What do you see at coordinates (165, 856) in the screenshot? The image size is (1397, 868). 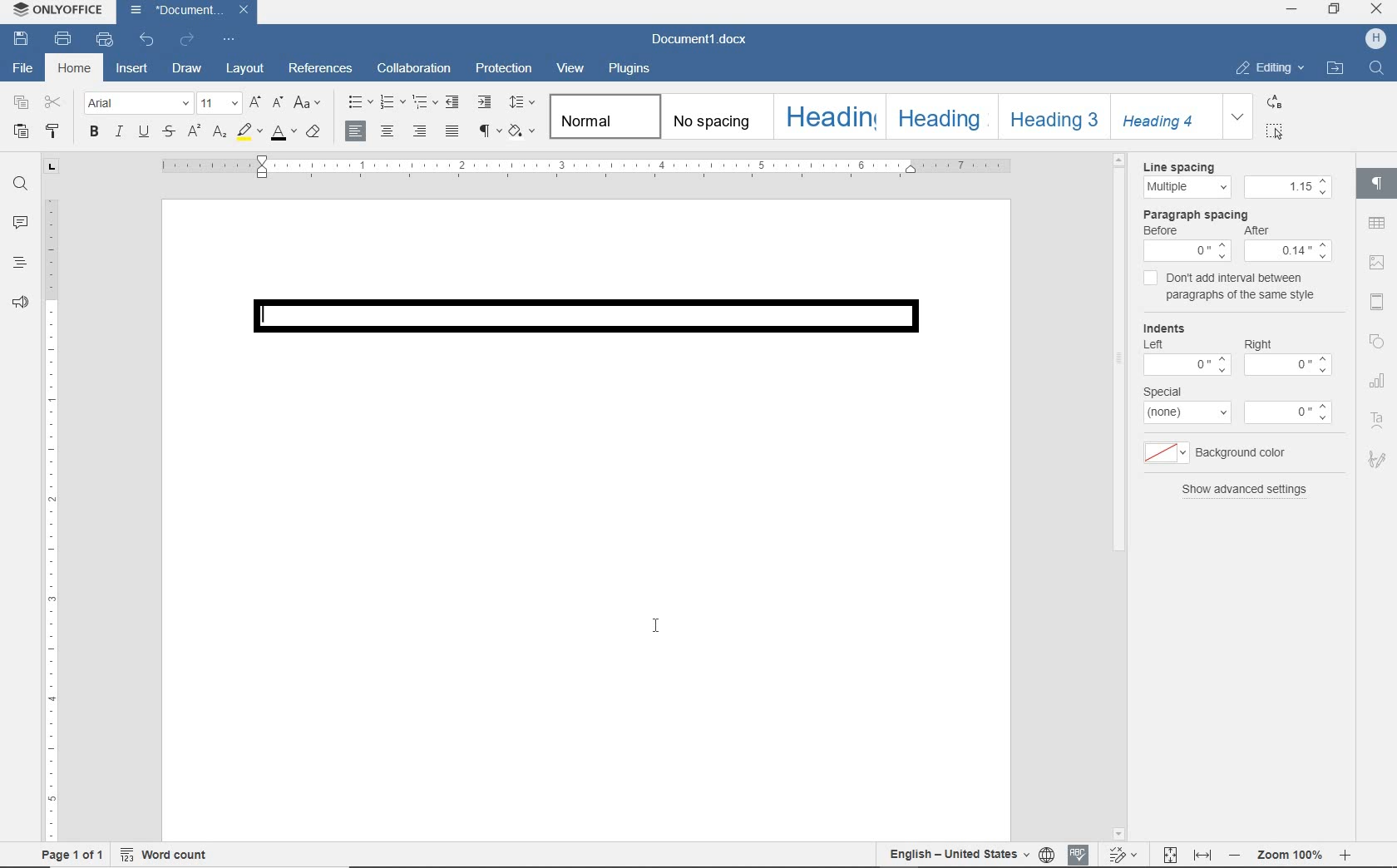 I see `word count` at bounding box center [165, 856].